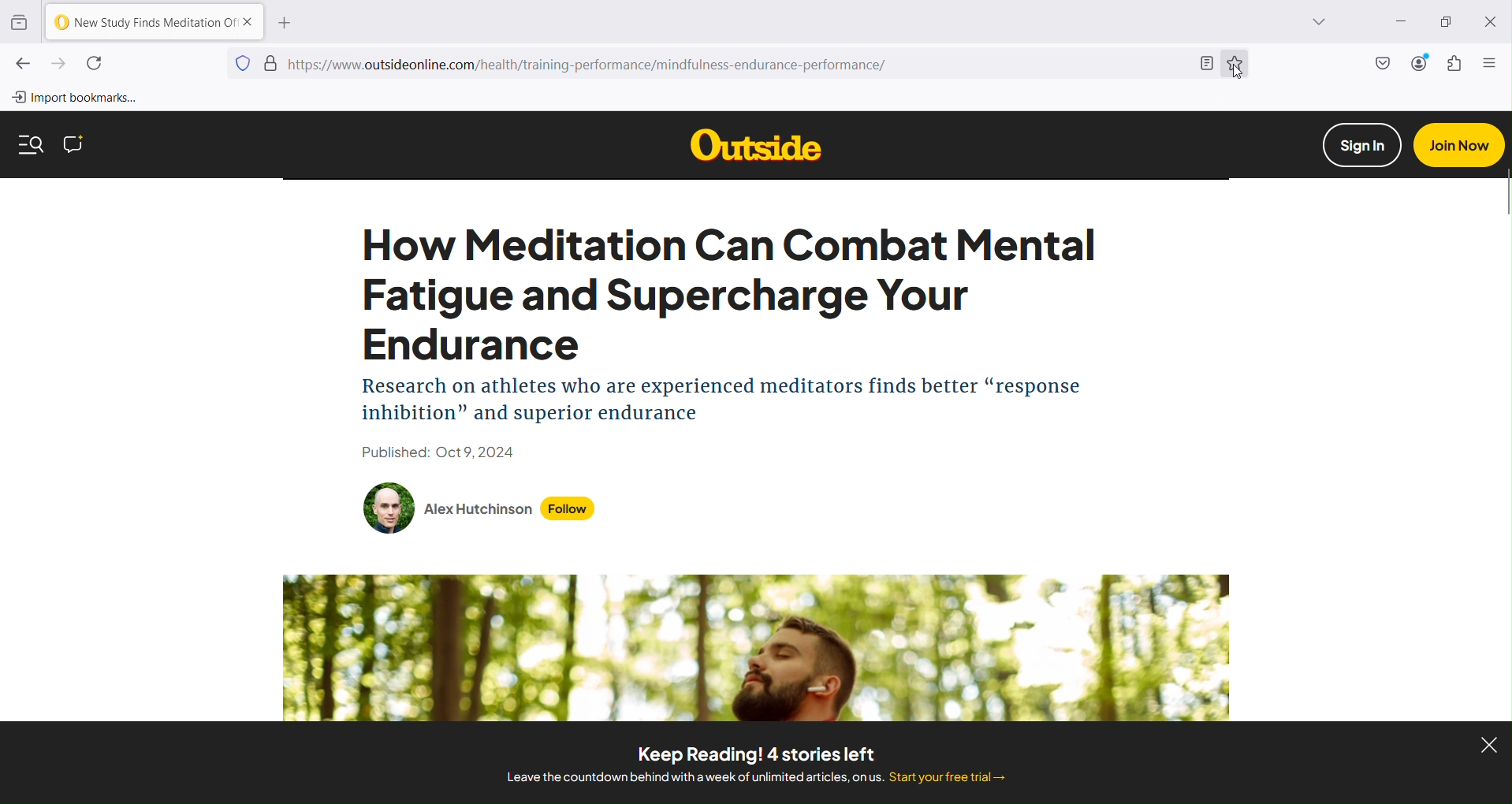 The image size is (1512, 804). Describe the element at coordinates (1398, 22) in the screenshot. I see `Minimize` at that location.